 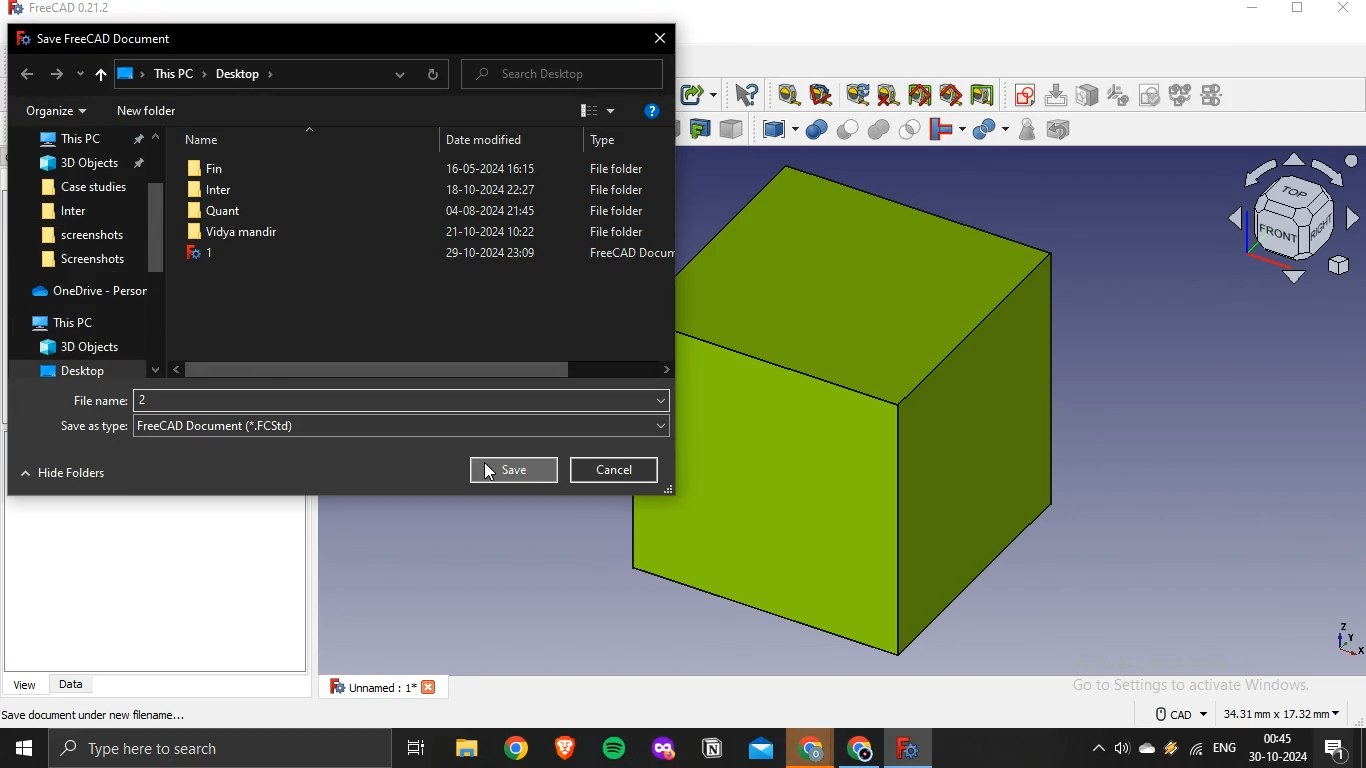 I want to click on minimize, so click(x=1253, y=8).